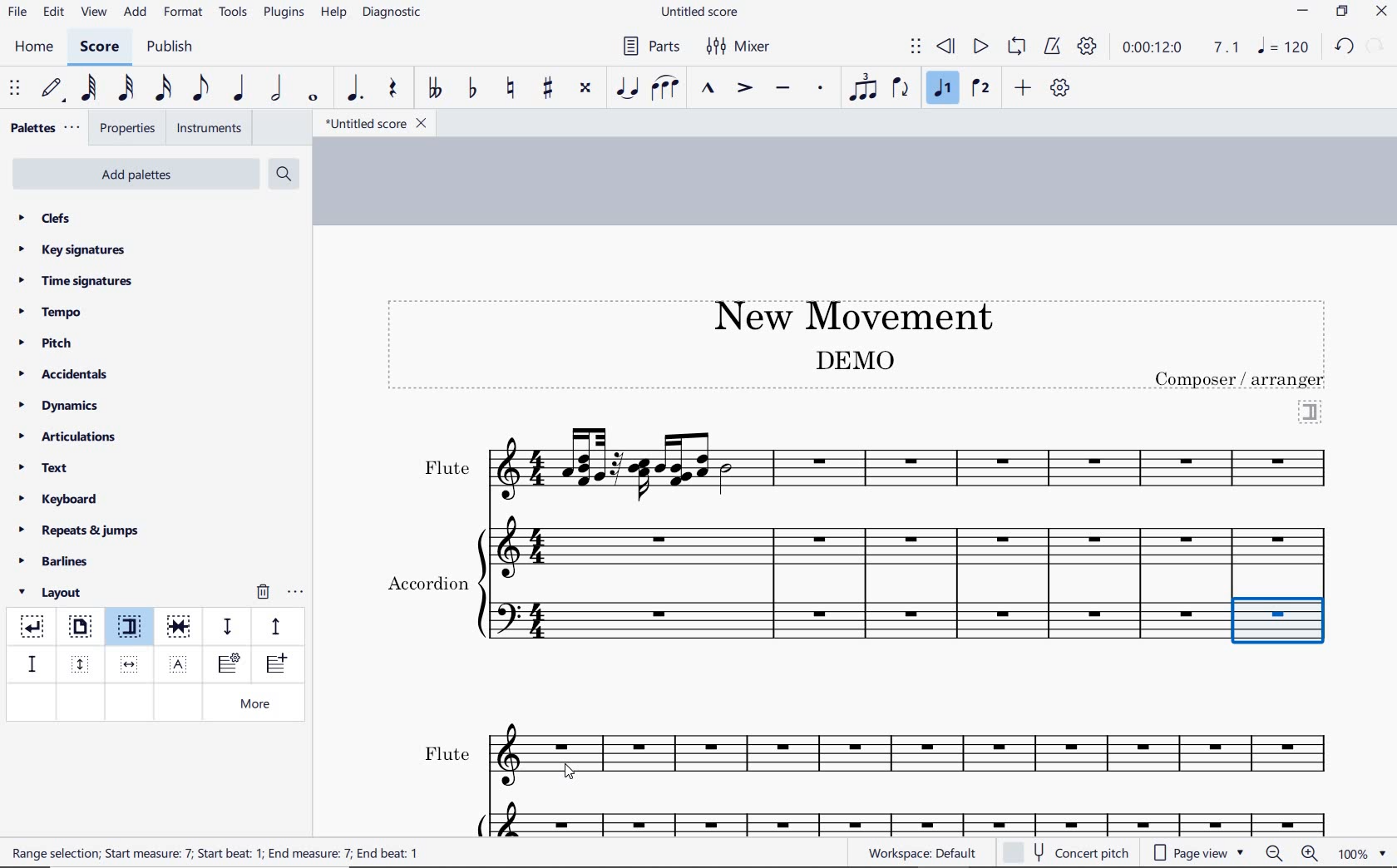 The image size is (1397, 868). I want to click on minimize, so click(1303, 12).